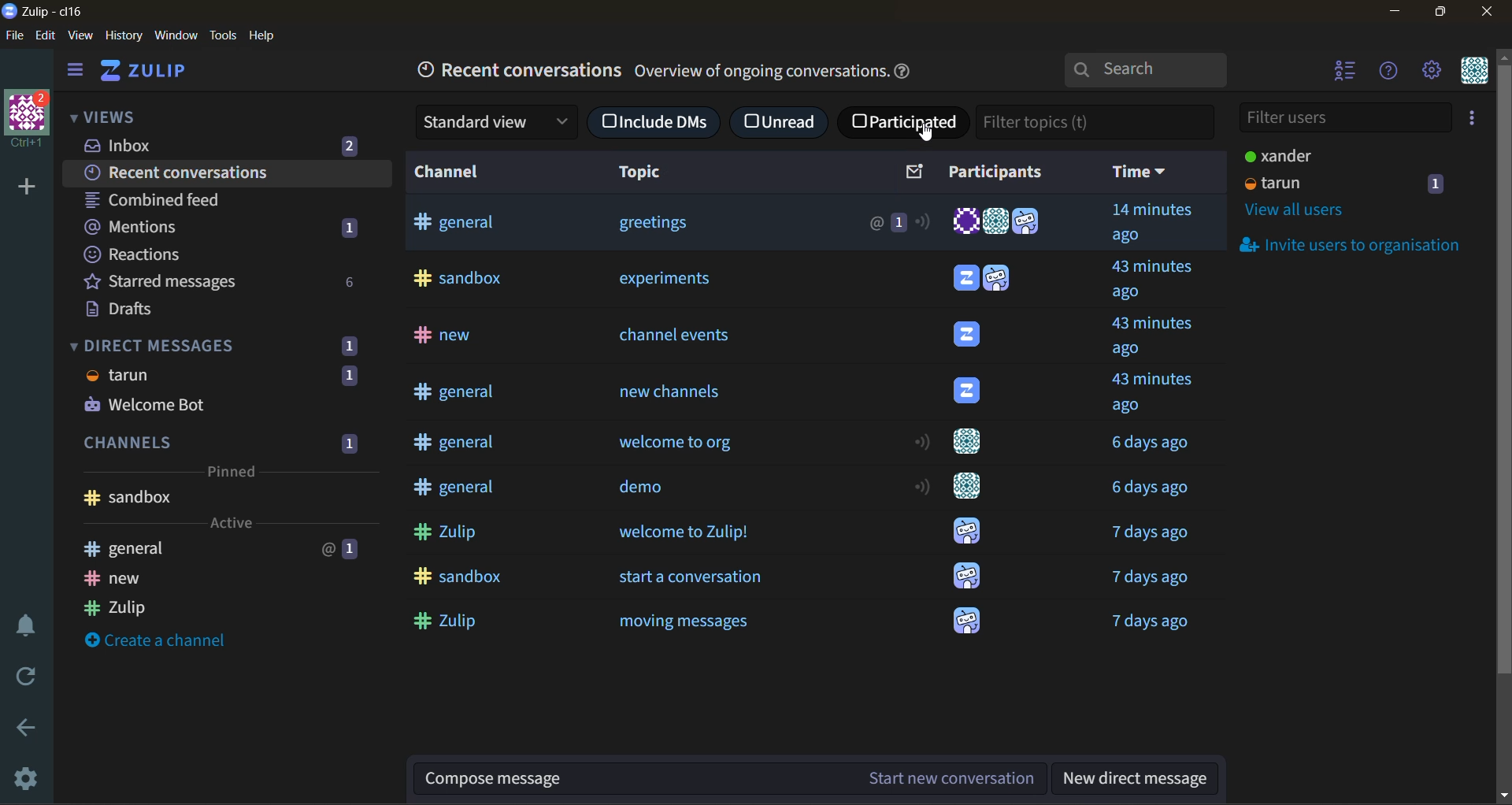 The height and width of the screenshot is (805, 1512). What do you see at coordinates (453, 335) in the screenshot?
I see `new` at bounding box center [453, 335].